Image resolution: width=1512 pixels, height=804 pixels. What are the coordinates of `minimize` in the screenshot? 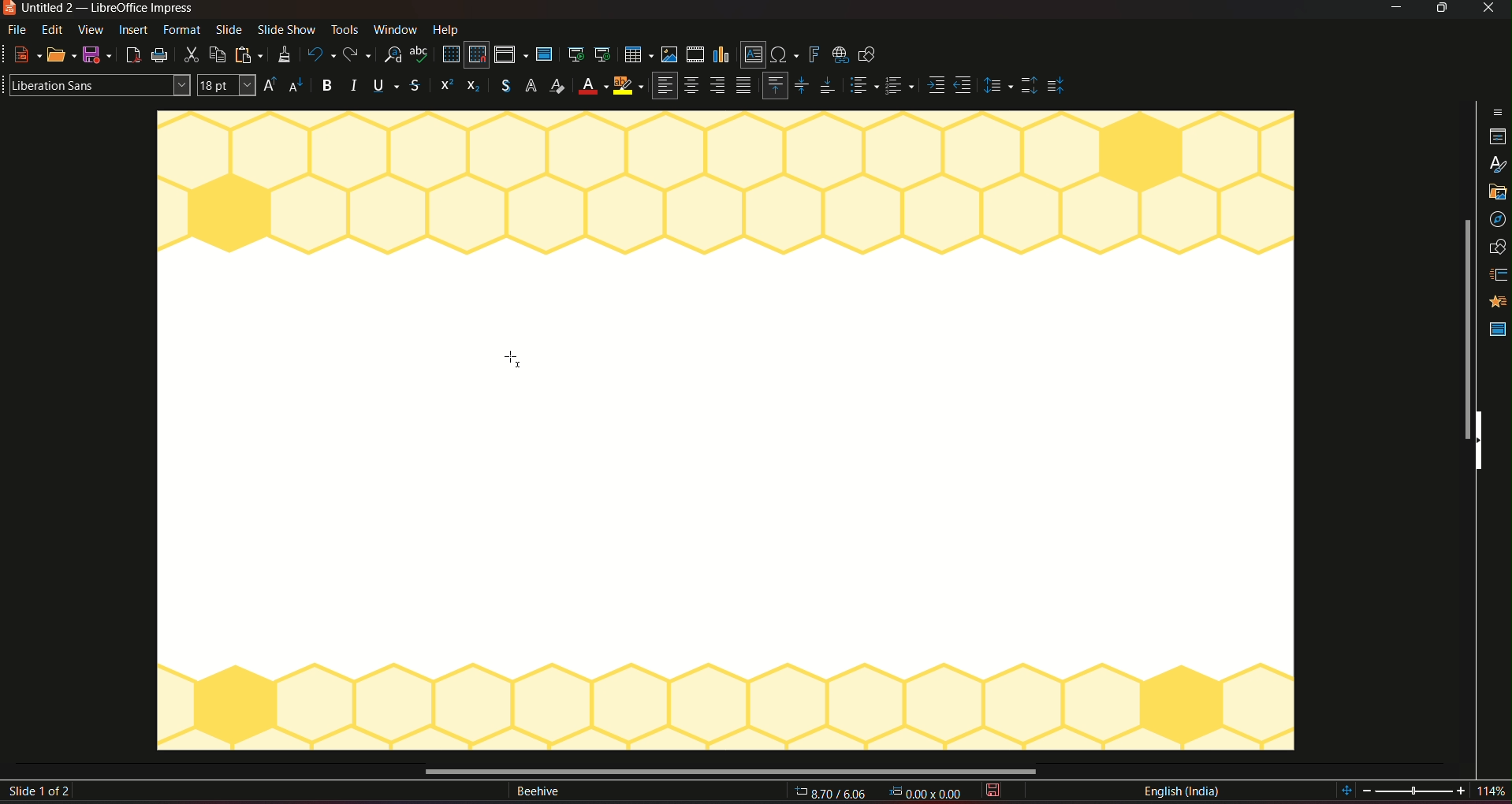 It's located at (1394, 9).